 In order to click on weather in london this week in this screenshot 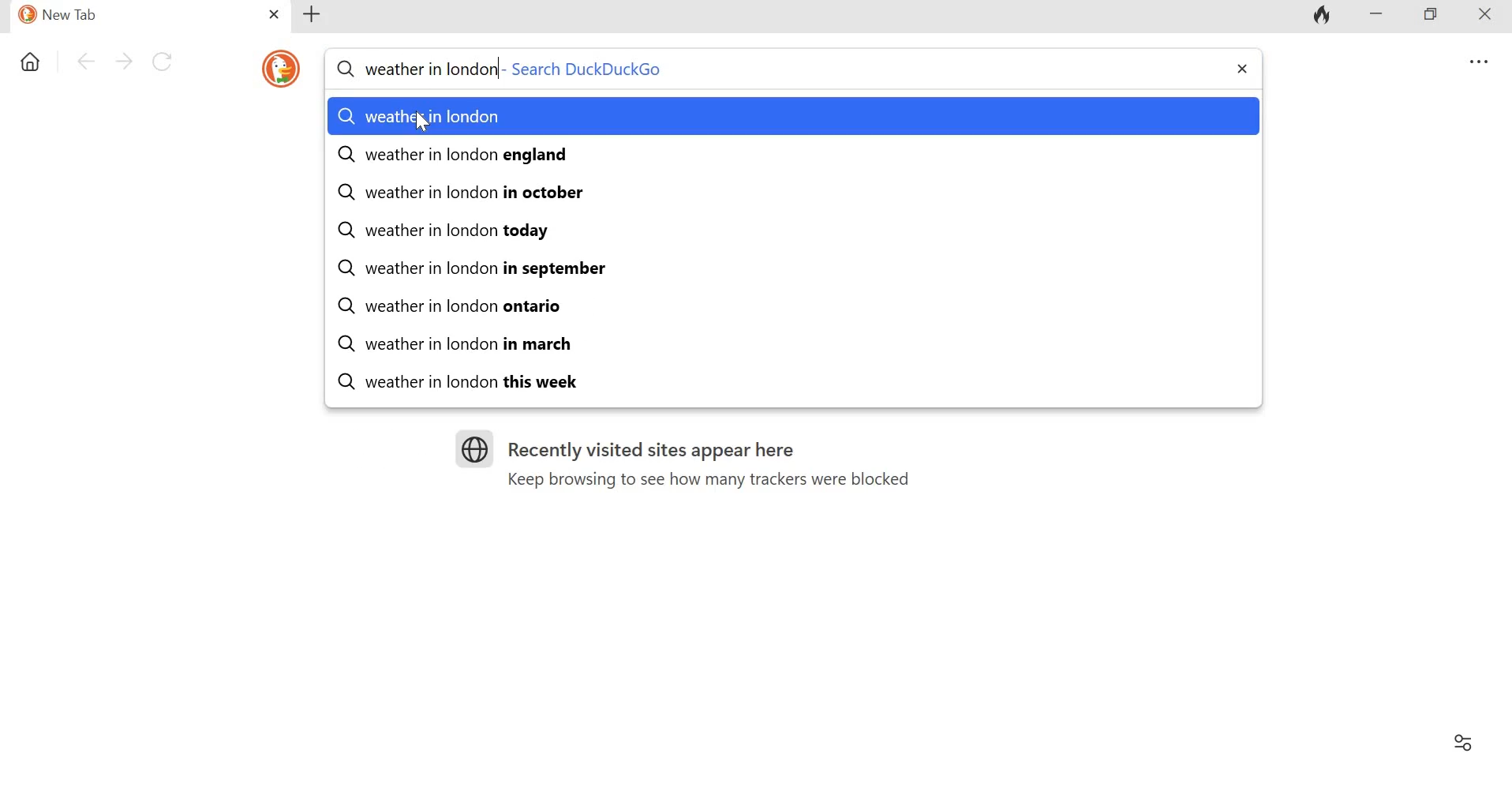, I will do `click(795, 381)`.